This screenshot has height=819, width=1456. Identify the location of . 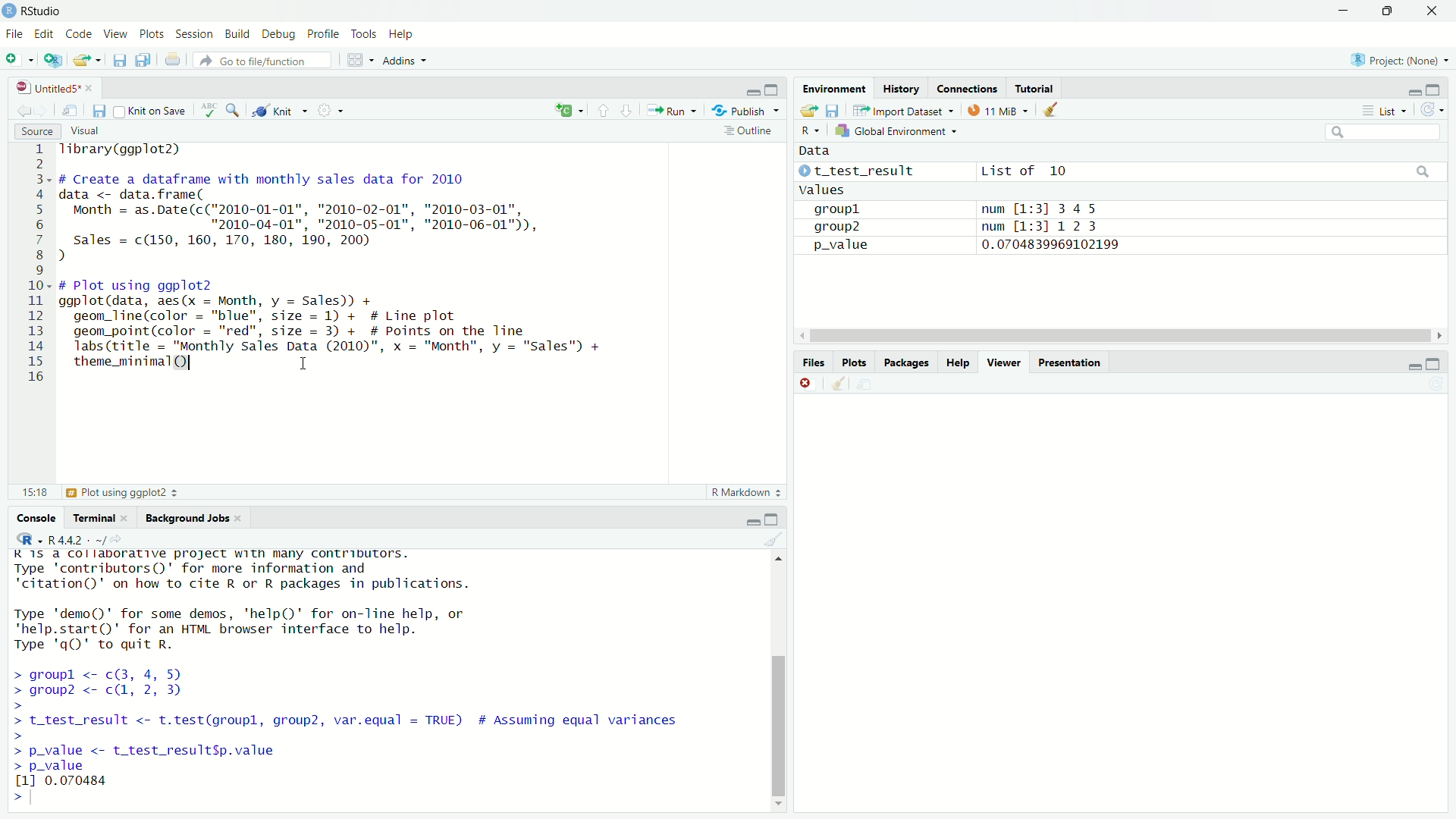
(1378, 130).